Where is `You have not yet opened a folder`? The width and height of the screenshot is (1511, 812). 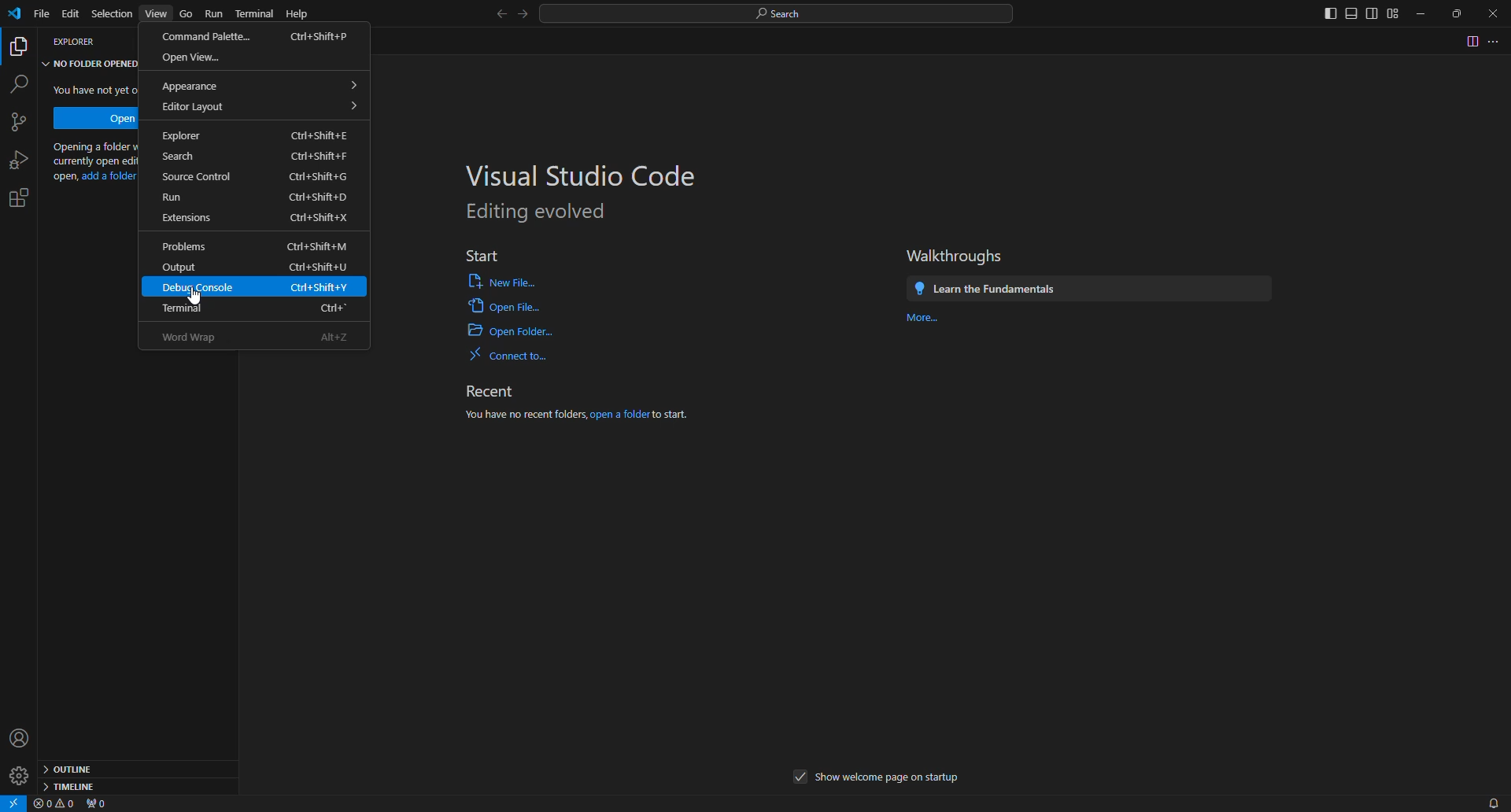 You have not yet opened a folder is located at coordinates (94, 90).